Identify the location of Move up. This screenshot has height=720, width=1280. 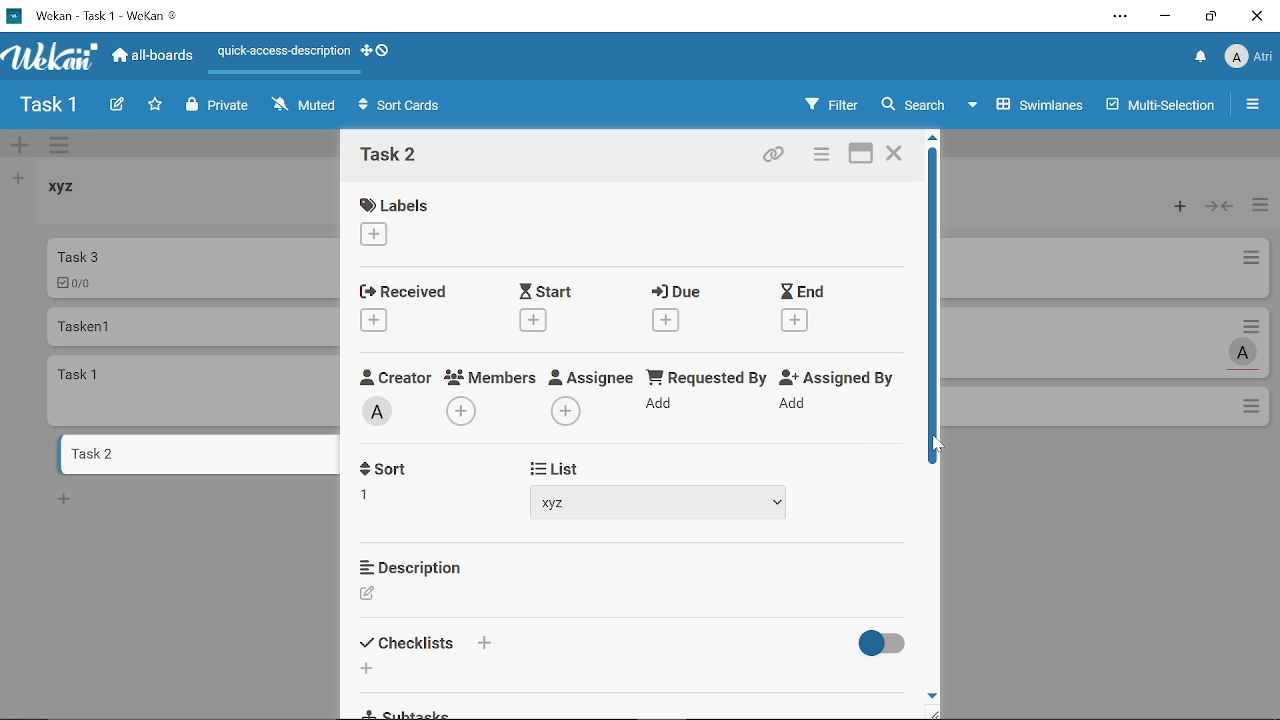
(933, 138).